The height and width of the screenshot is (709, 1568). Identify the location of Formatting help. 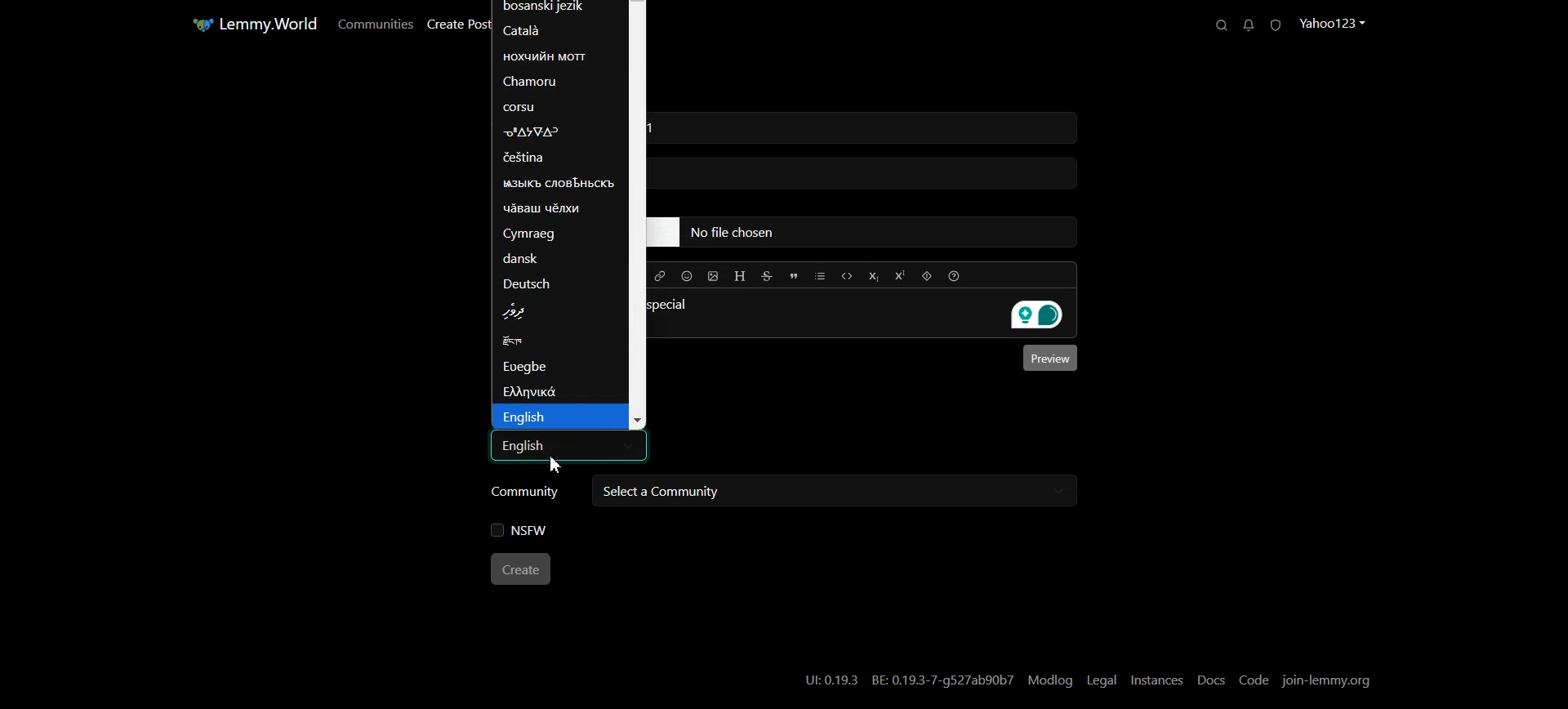
(954, 275).